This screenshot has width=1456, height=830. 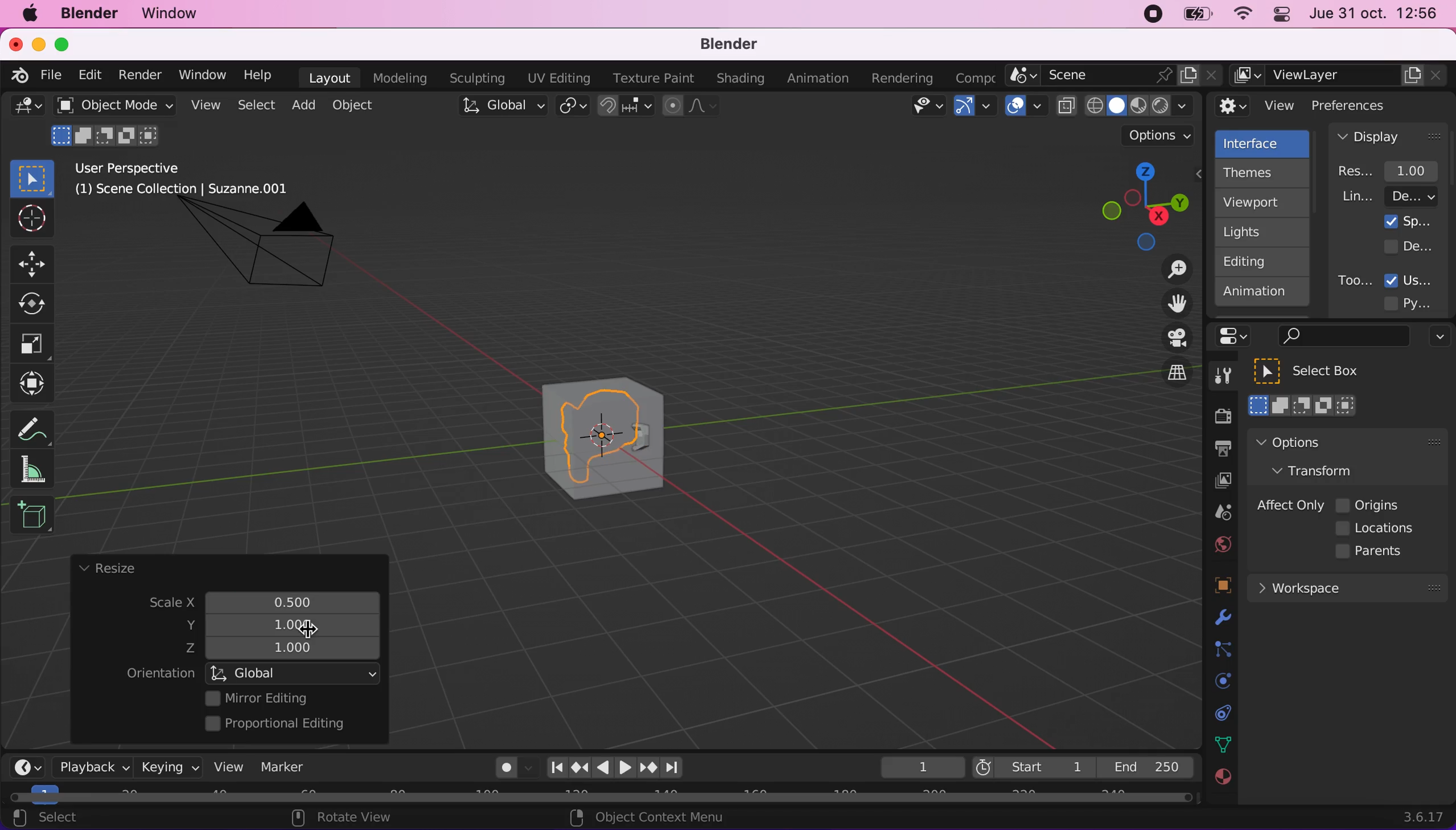 I want to click on options, so click(x=1437, y=338).